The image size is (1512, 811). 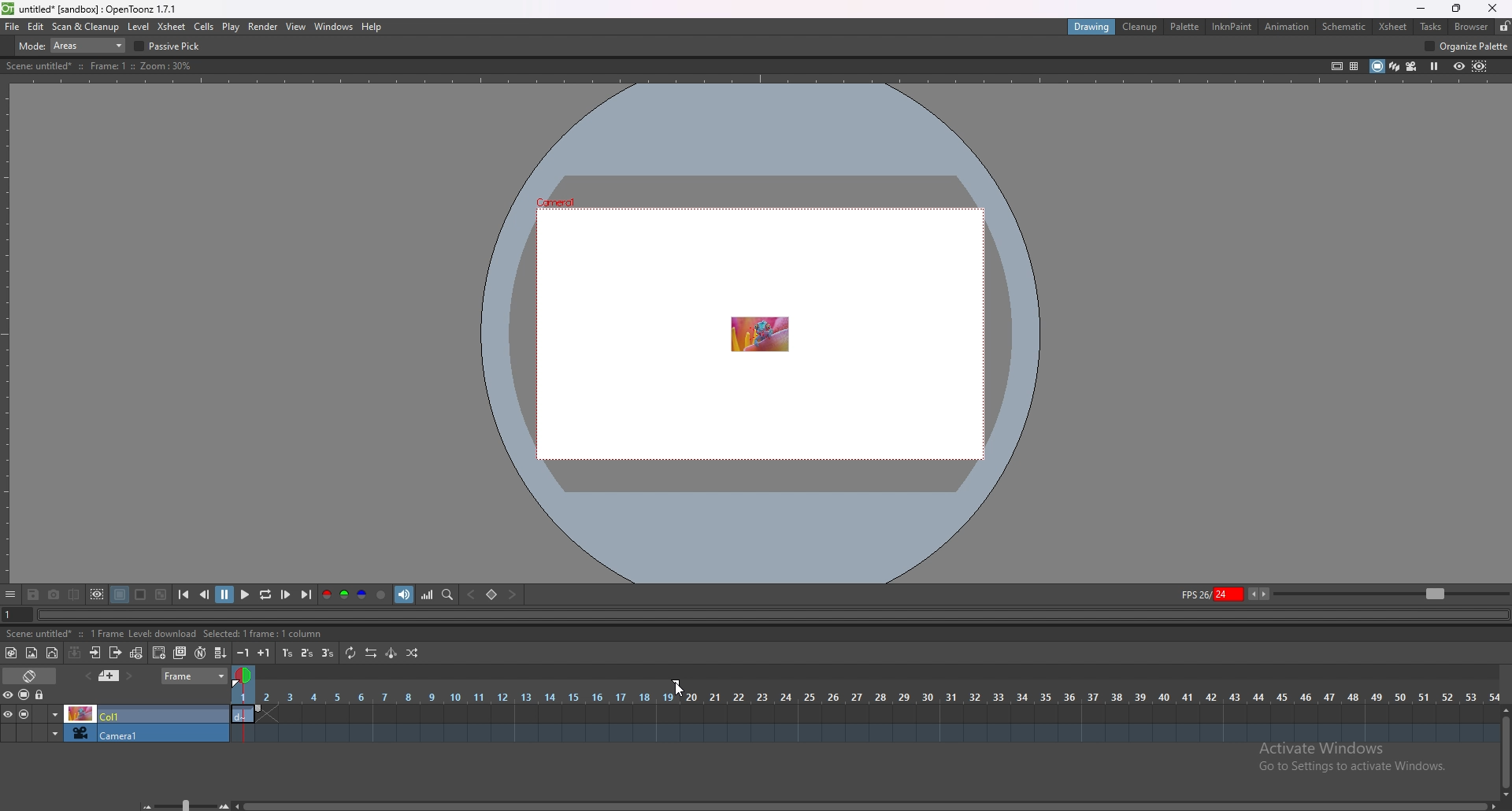 What do you see at coordinates (352, 654) in the screenshot?
I see `repeat` at bounding box center [352, 654].